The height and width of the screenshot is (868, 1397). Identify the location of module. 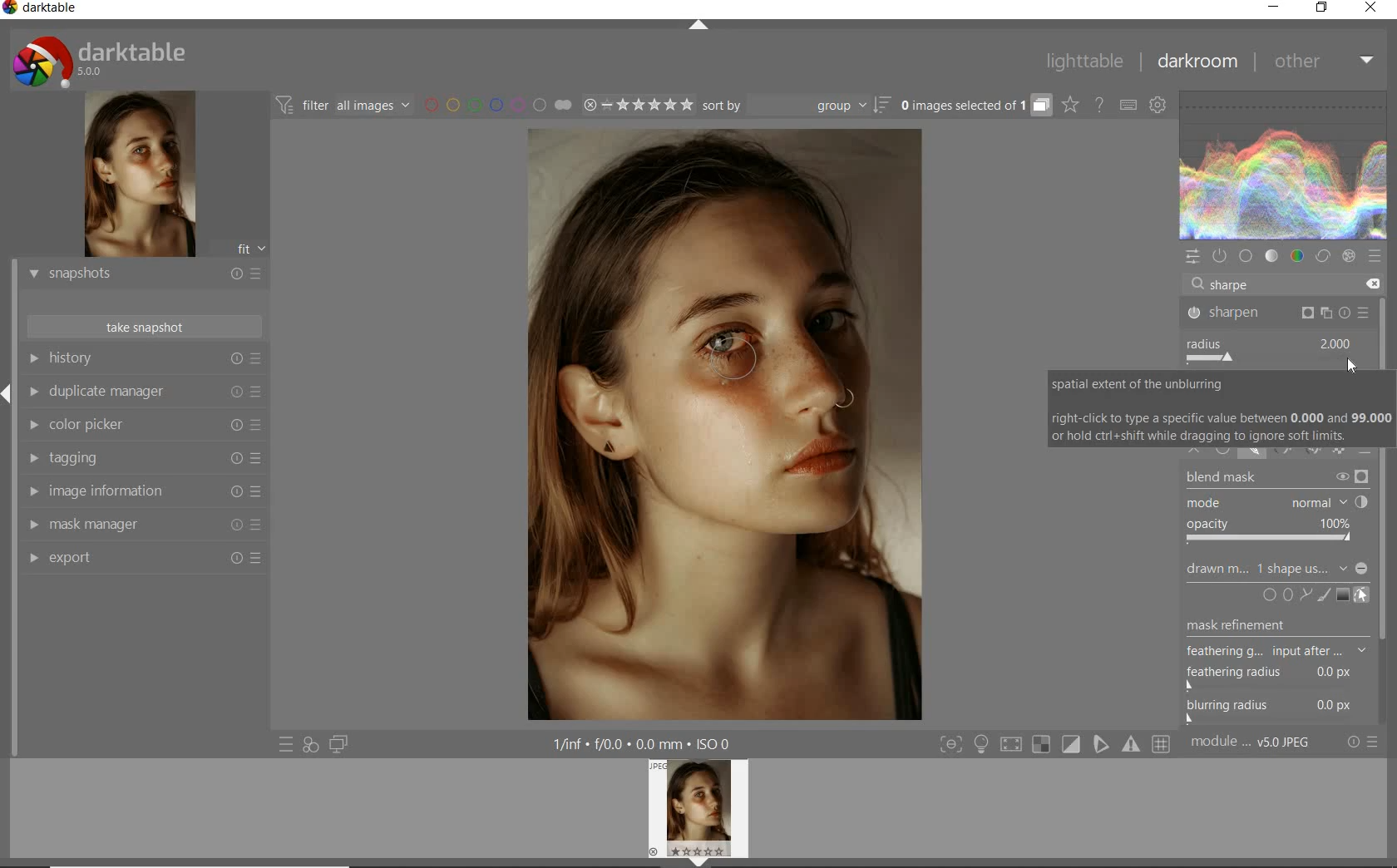
(1252, 742).